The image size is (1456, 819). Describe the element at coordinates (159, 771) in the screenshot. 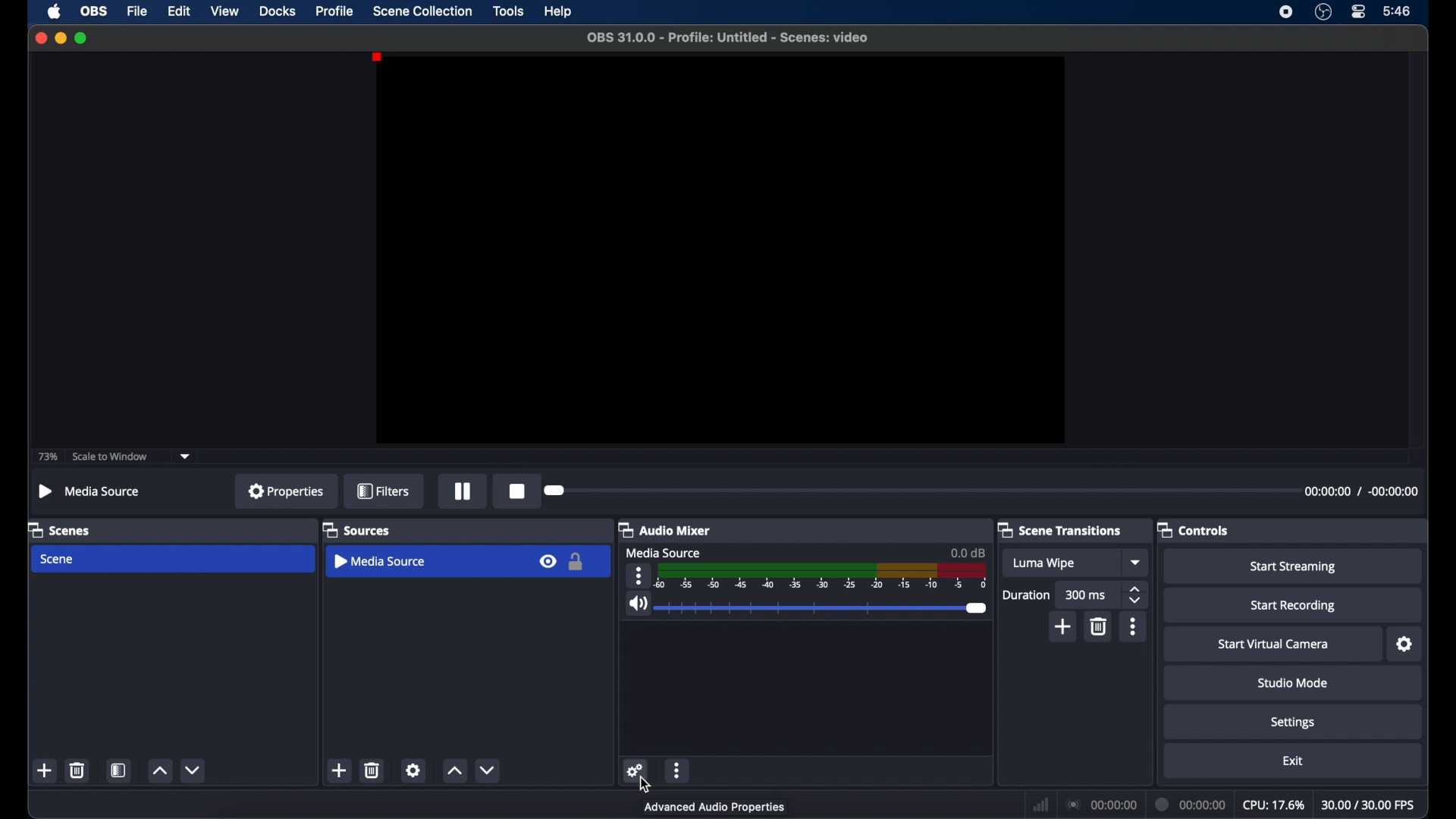

I see `increment` at that location.